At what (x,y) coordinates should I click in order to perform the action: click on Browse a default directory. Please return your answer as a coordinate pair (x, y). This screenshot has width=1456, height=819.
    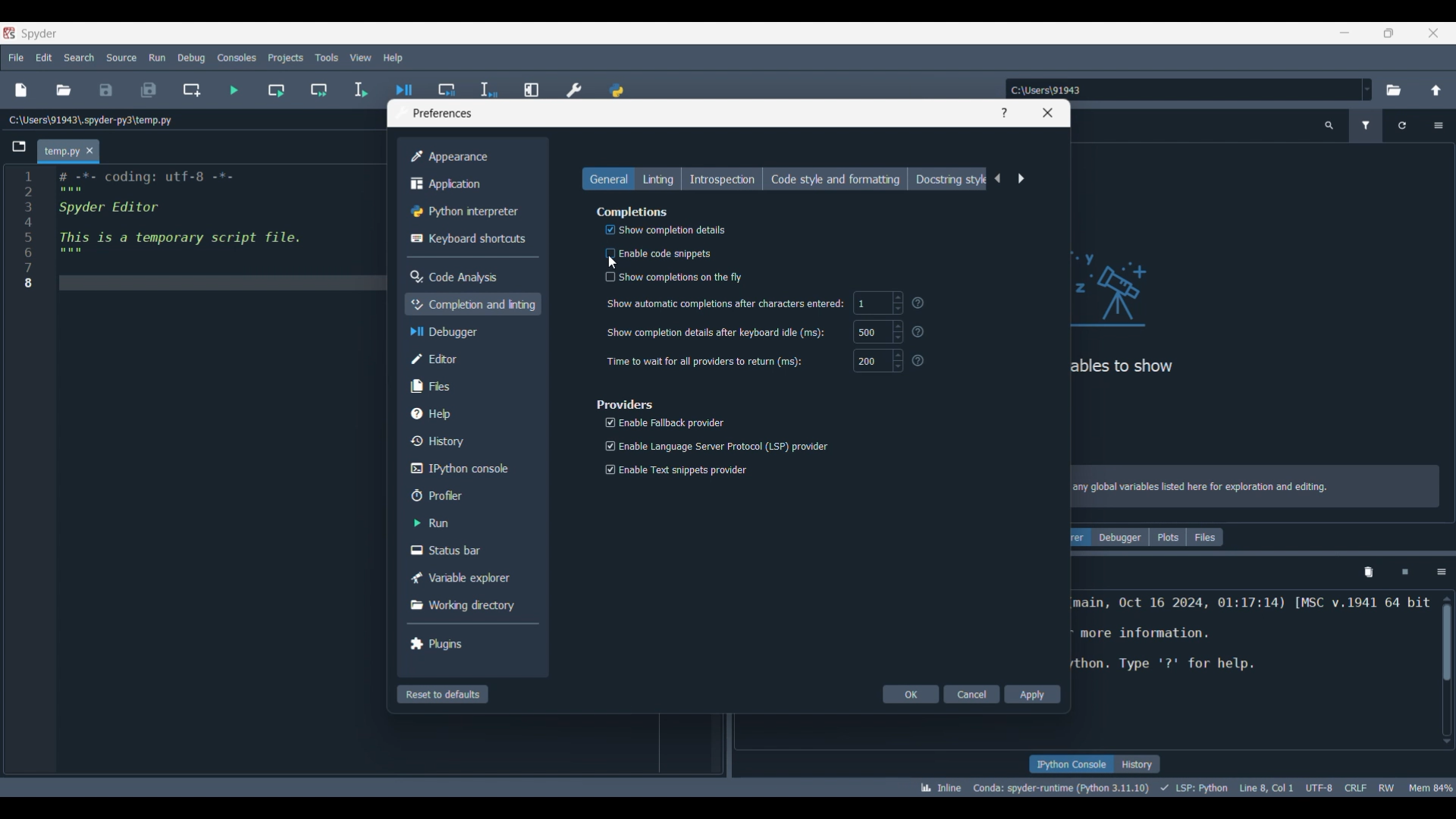
    Looking at the image, I should click on (1394, 90).